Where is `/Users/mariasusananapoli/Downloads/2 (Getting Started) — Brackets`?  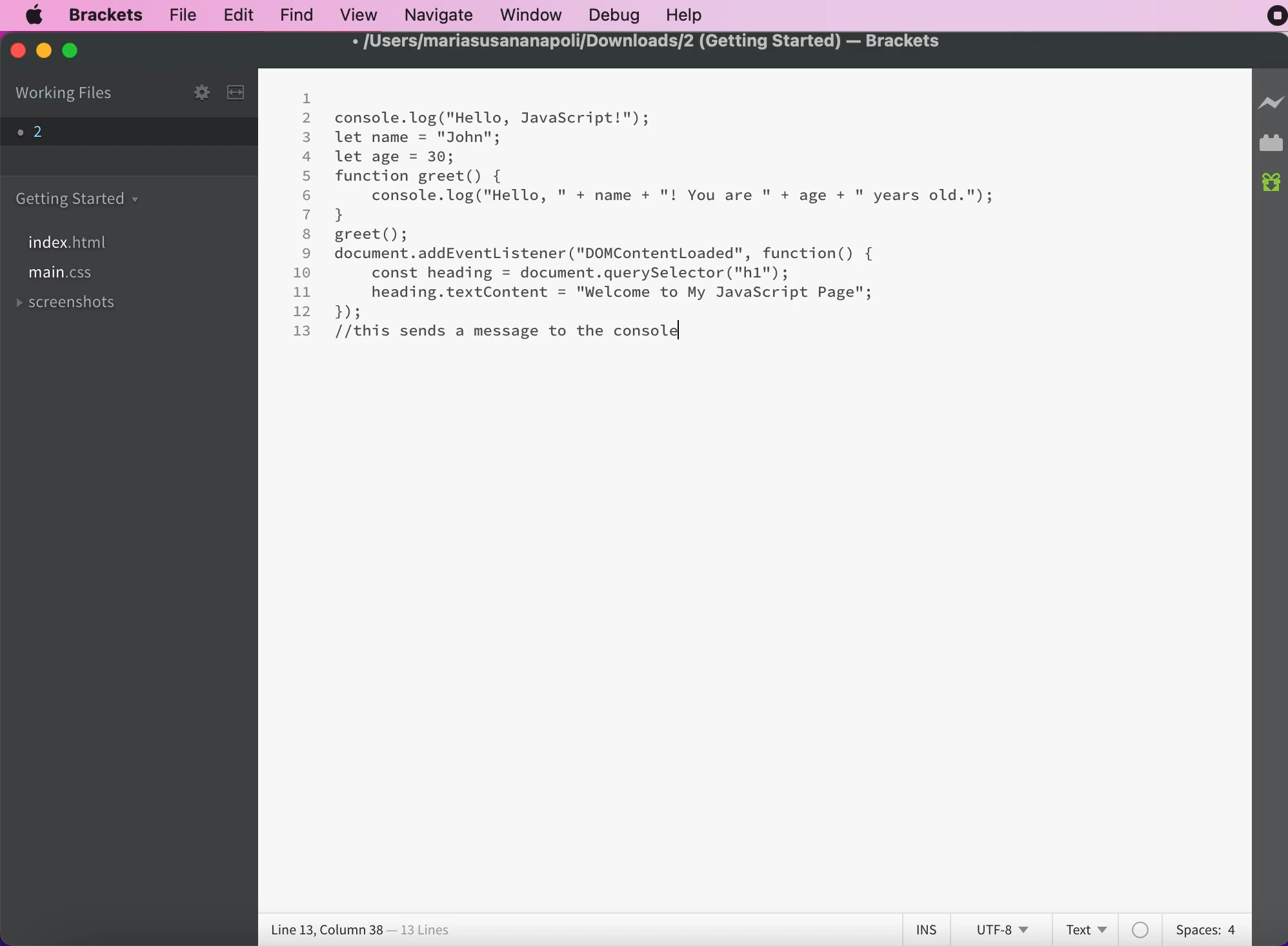
/Users/mariasusananapoli/Downloads/2 (Getting Started) — Brackets is located at coordinates (647, 42).